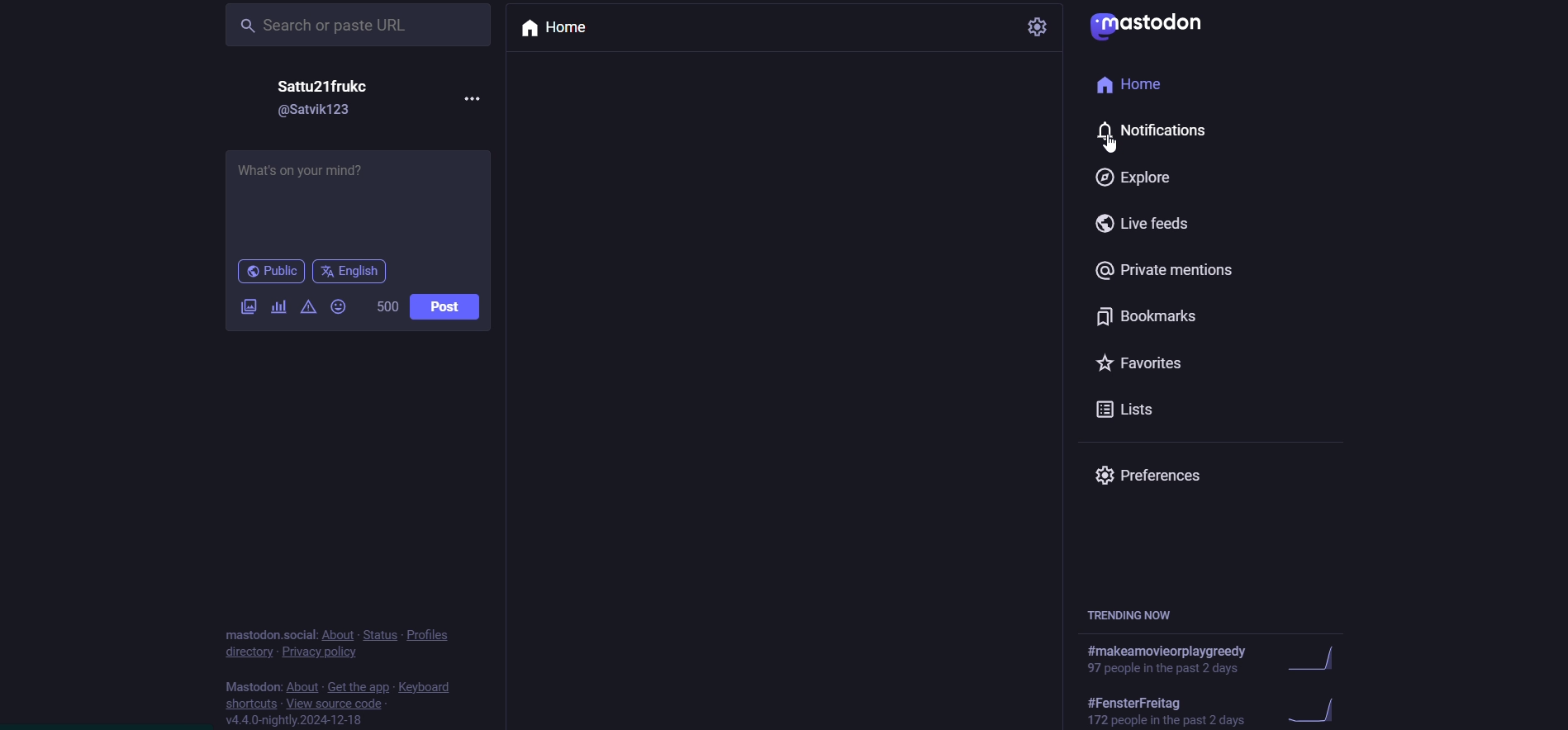  I want to click on Public, so click(271, 272).